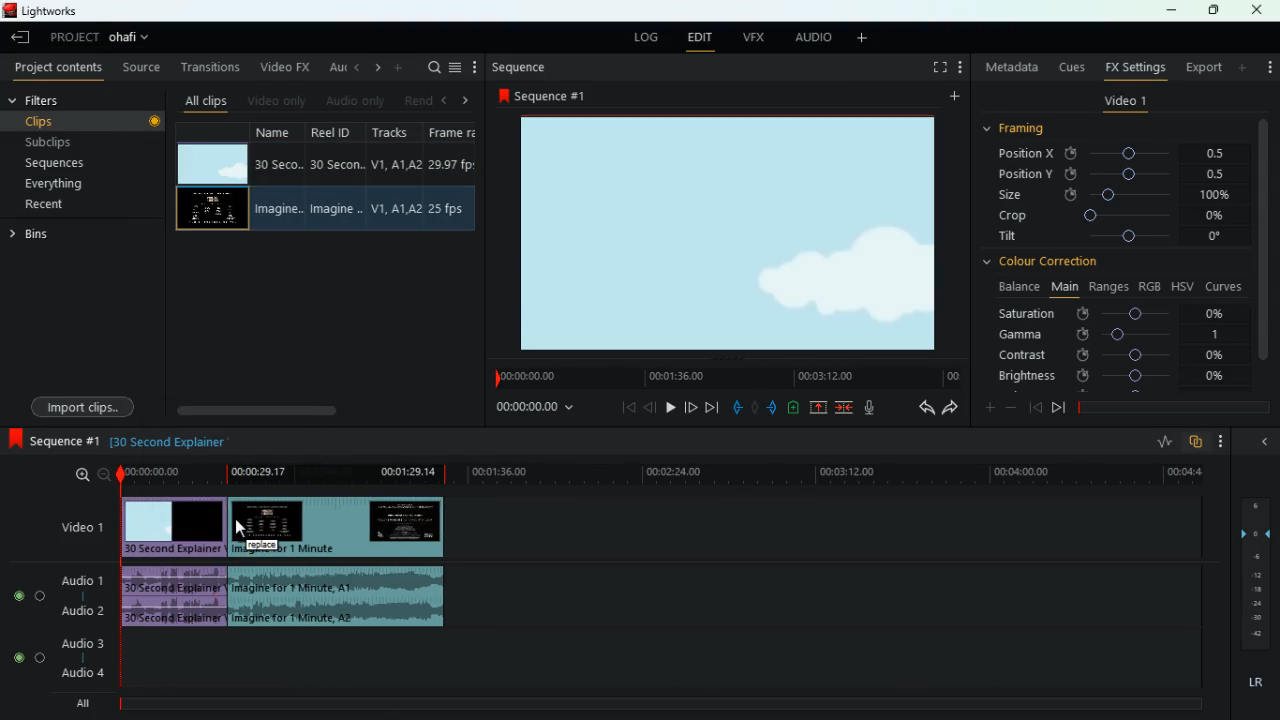 This screenshot has width=1280, height=720. What do you see at coordinates (143, 69) in the screenshot?
I see `source` at bounding box center [143, 69].